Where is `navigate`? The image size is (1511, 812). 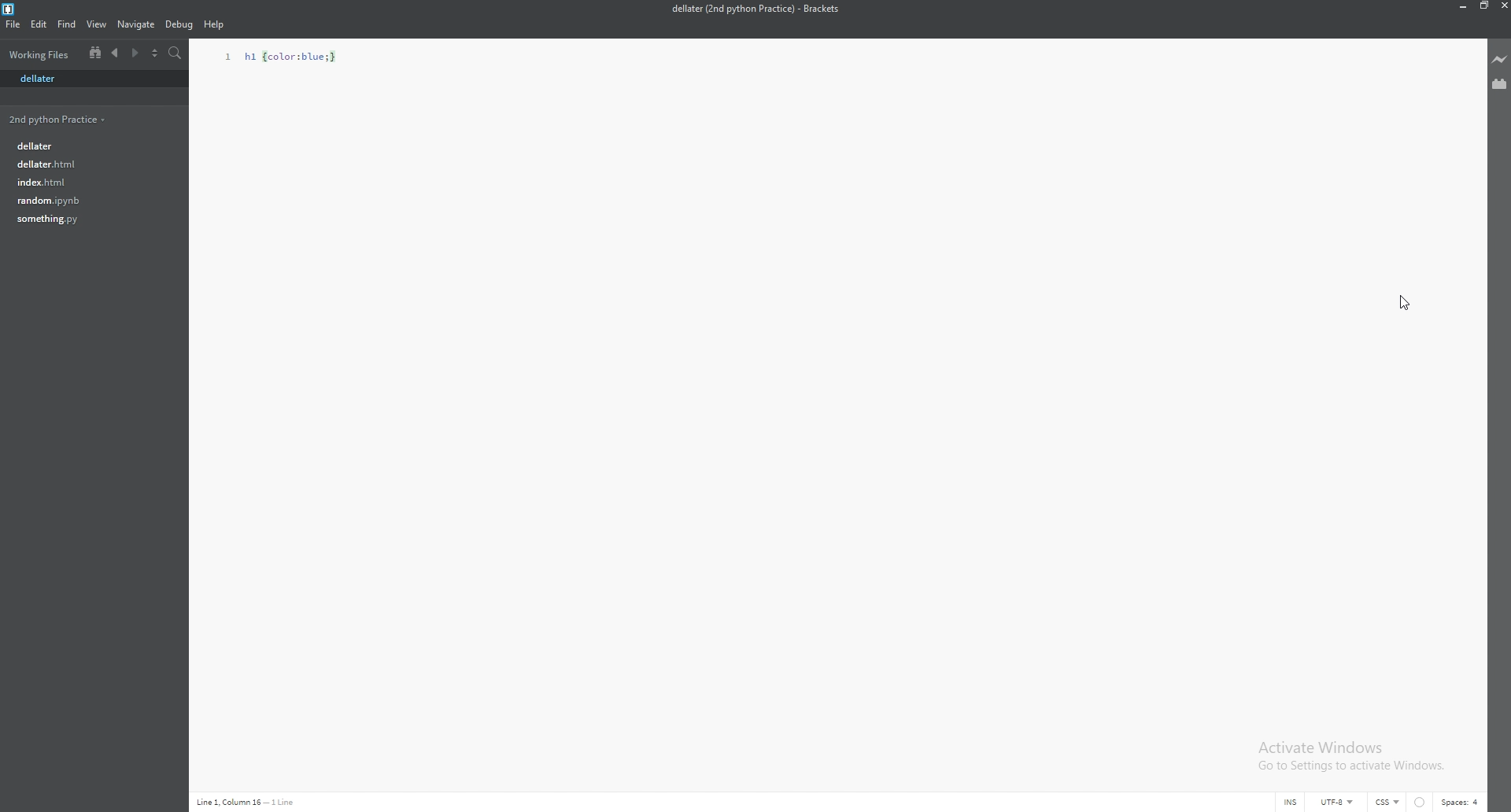
navigate is located at coordinates (136, 25).